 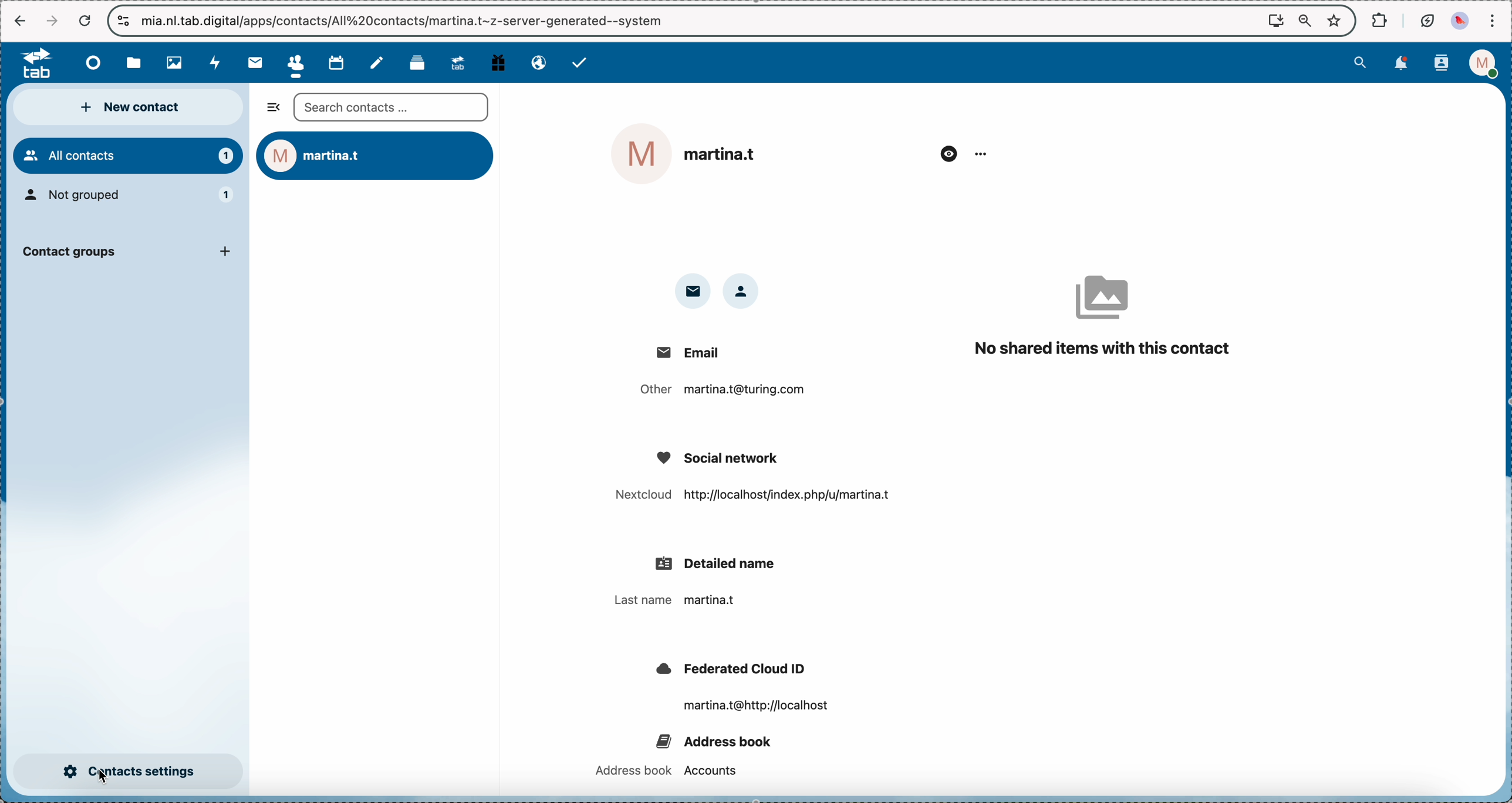 What do you see at coordinates (1275, 21) in the screenshot?
I see `install Nextcloud` at bounding box center [1275, 21].